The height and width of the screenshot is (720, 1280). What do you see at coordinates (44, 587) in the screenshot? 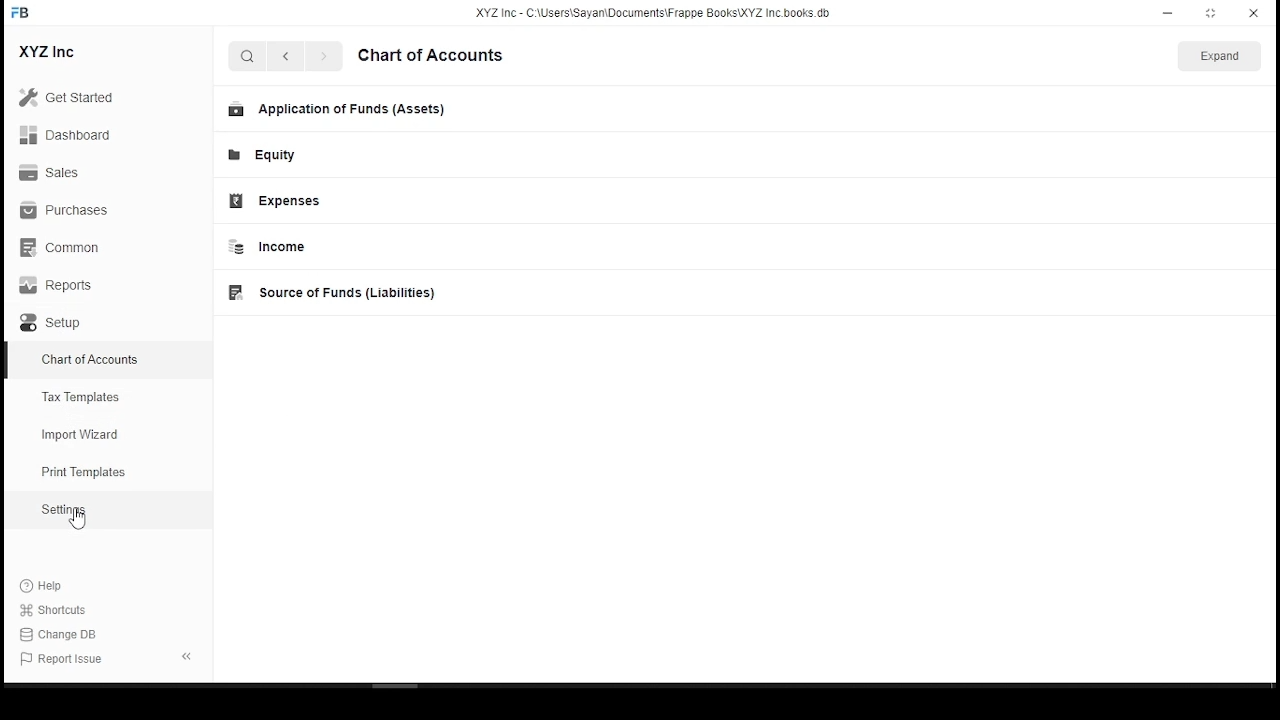
I see `Help` at bounding box center [44, 587].